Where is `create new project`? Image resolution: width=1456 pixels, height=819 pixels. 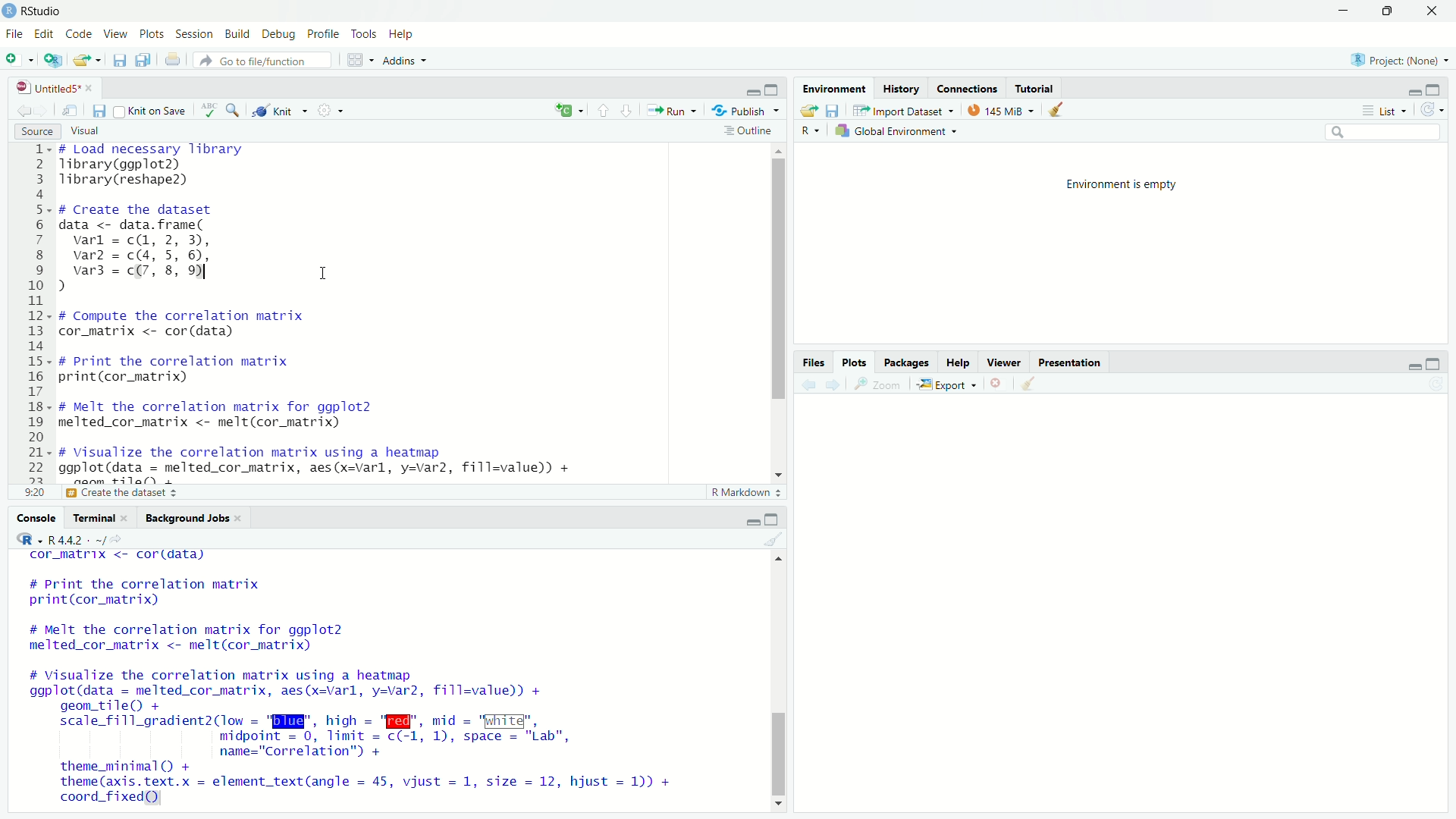
create new project is located at coordinates (51, 59).